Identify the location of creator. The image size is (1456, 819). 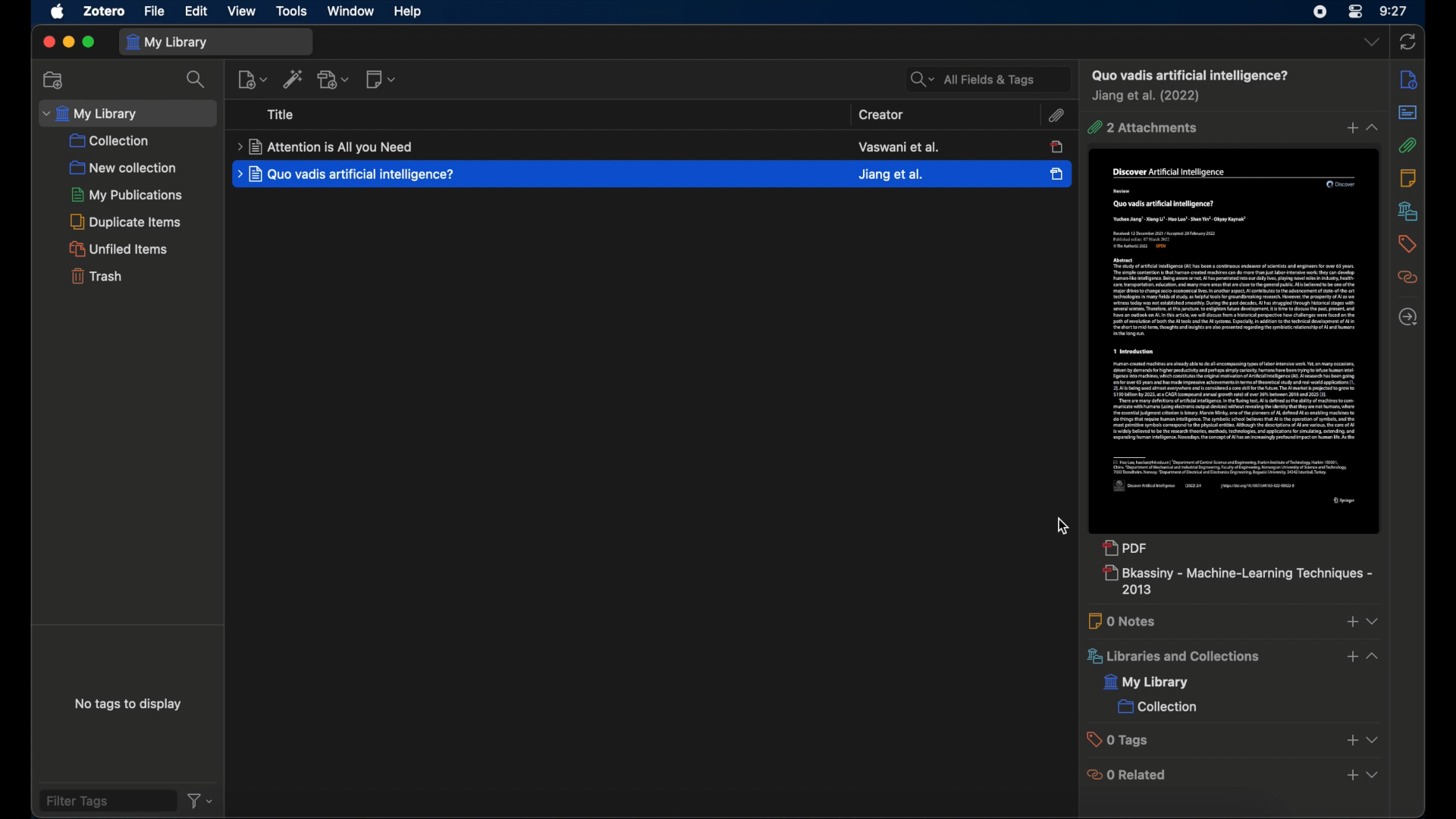
(891, 174).